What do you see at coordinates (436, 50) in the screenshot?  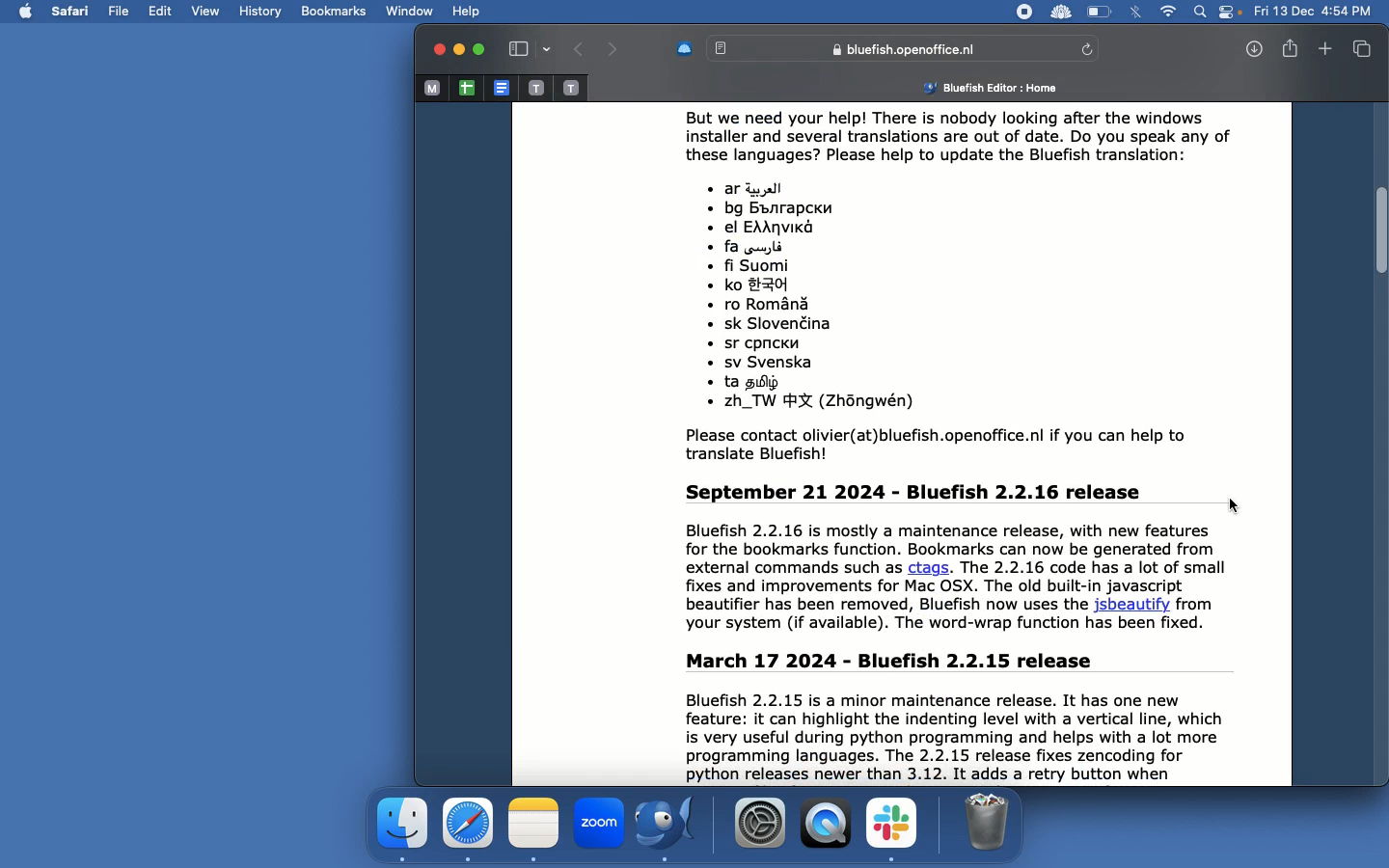 I see `Close` at bounding box center [436, 50].